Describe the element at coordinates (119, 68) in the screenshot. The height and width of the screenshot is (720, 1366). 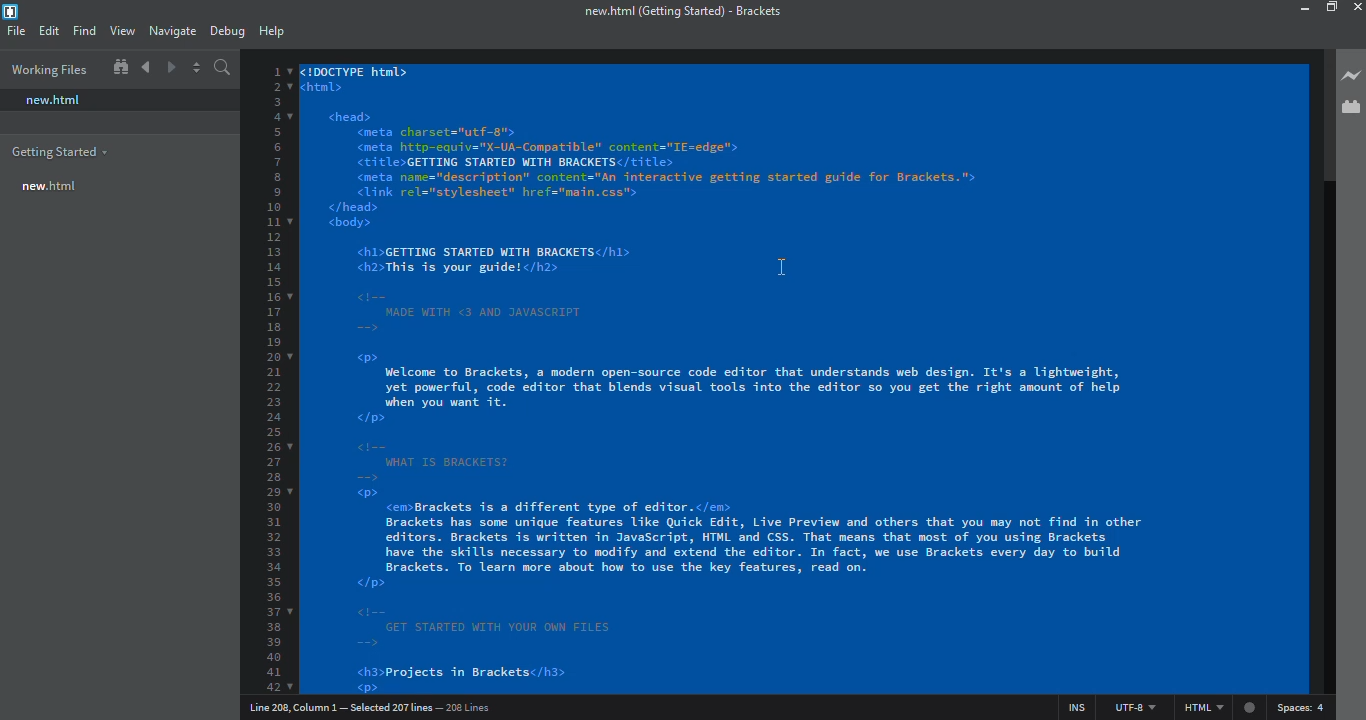
I see `show in file tree` at that location.